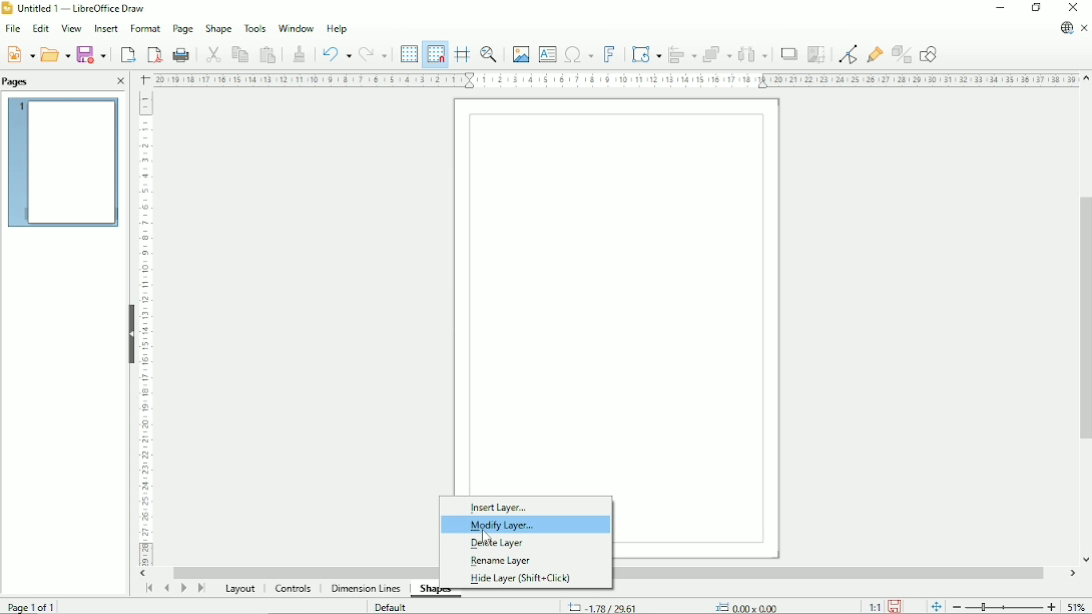  Describe the element at coordinates (1086, 29) in the screenshot. I see `Close document` at that location.